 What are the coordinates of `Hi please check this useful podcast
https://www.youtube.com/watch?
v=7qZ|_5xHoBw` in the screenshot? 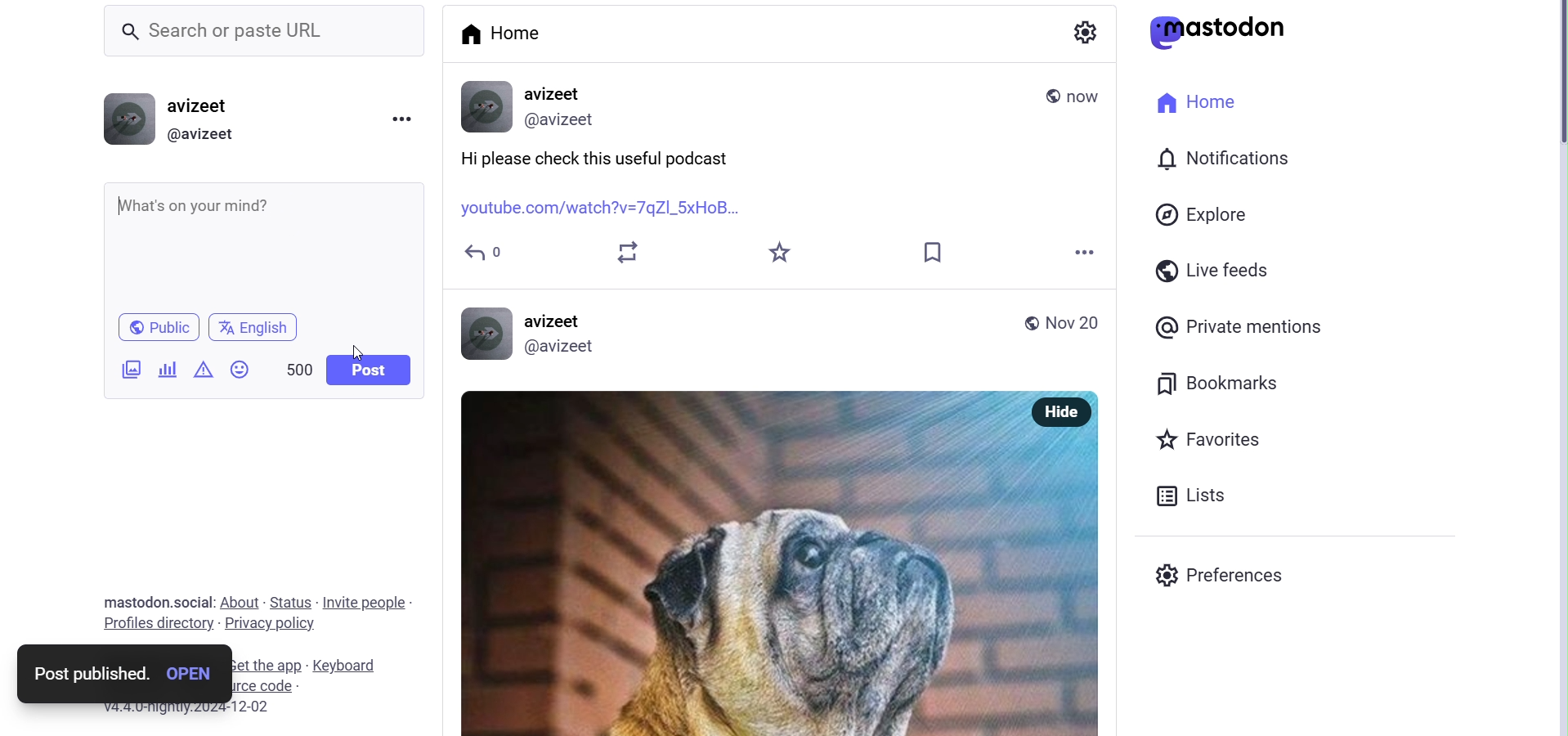 It's located at (267, 241).